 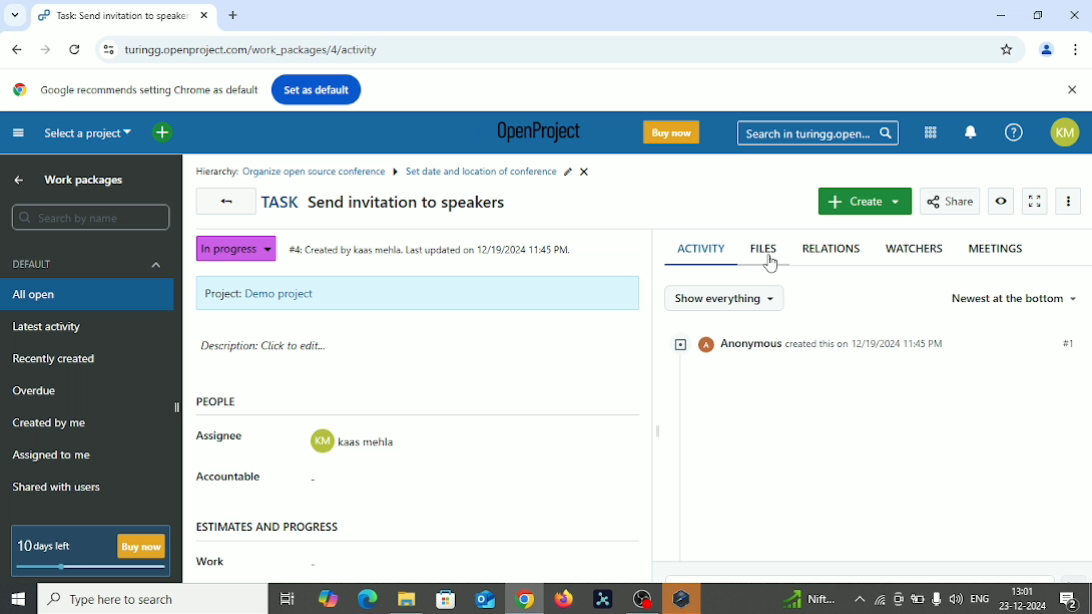 What do you see at coordinates (163, 133) in the screenshot?
I see `Open quick add menu` at bounding box center [163, 133].